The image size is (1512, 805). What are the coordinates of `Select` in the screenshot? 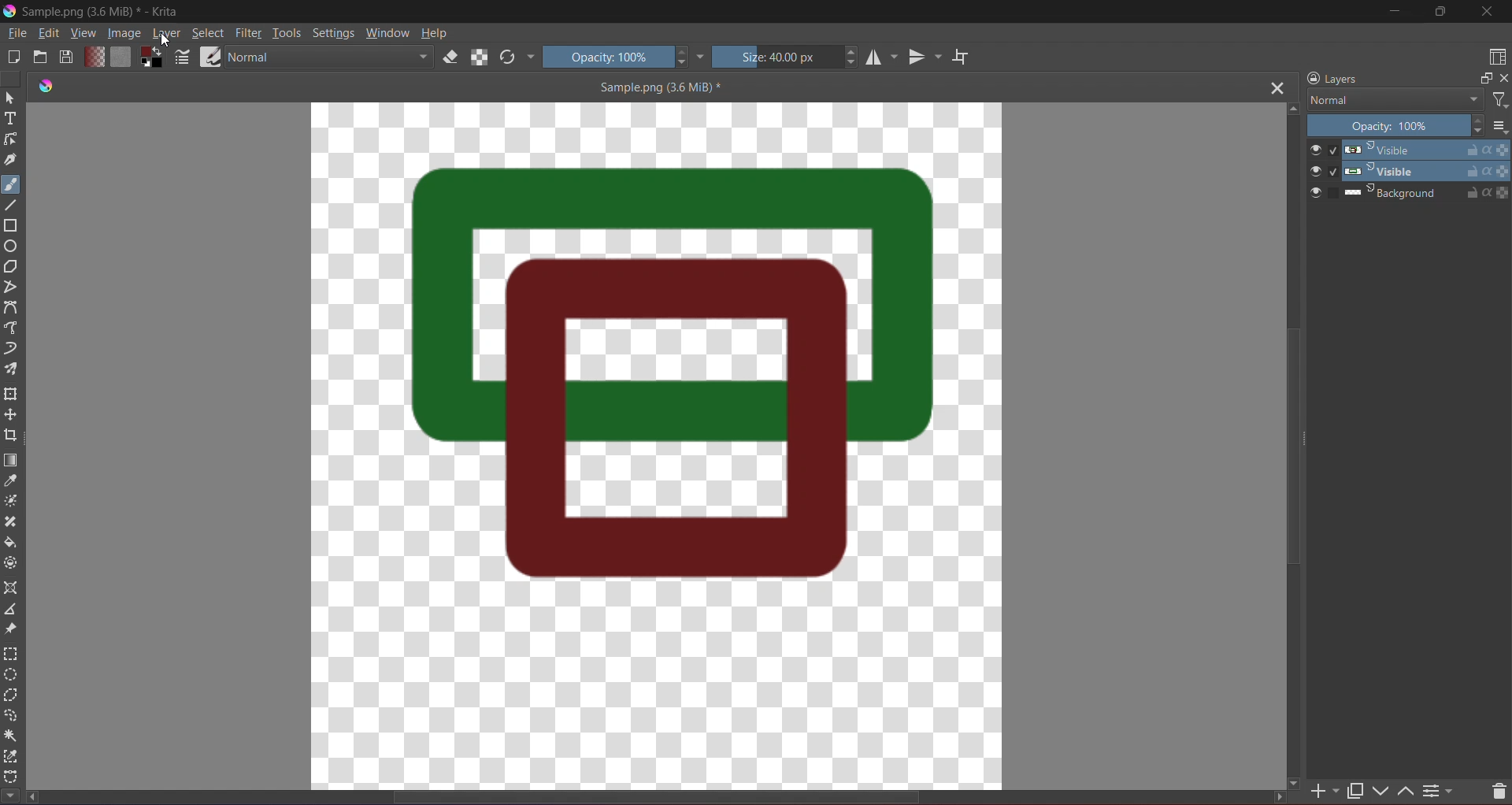 It's located at (10, 98).